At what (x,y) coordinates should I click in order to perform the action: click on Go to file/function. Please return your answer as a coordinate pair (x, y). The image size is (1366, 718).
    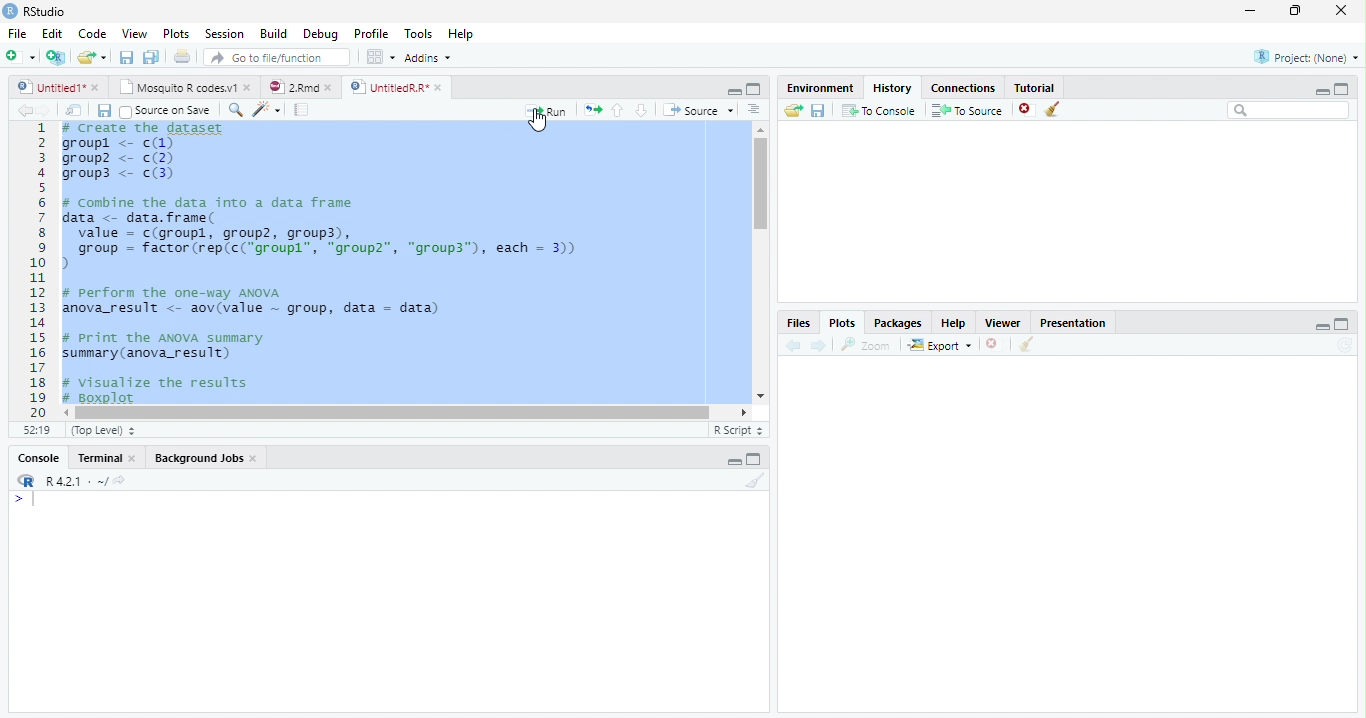
    Looking at the image, I should click on (277, 58).